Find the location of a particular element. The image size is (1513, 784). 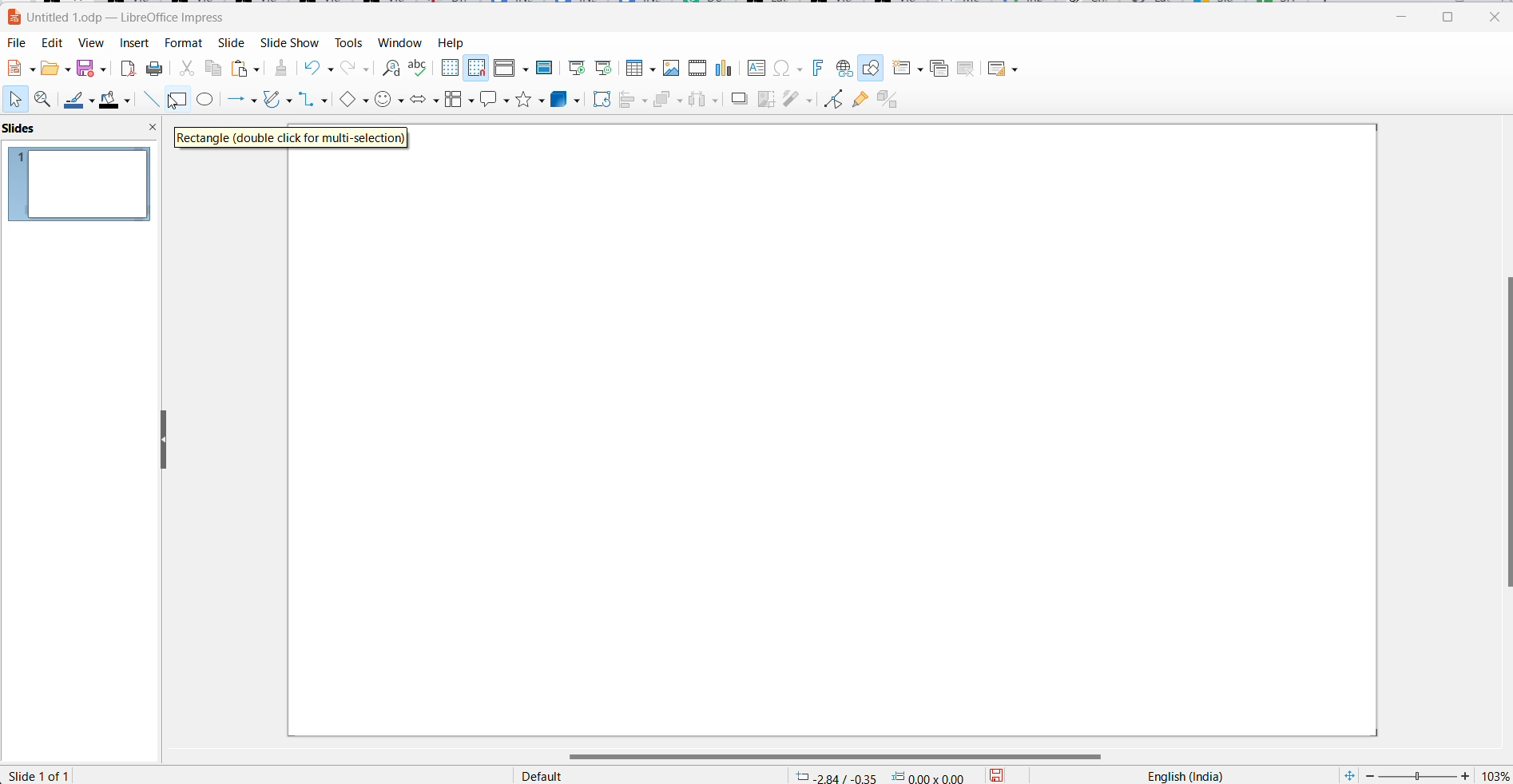

toggle endpoint edit mode is located at coordinates (831, 98).